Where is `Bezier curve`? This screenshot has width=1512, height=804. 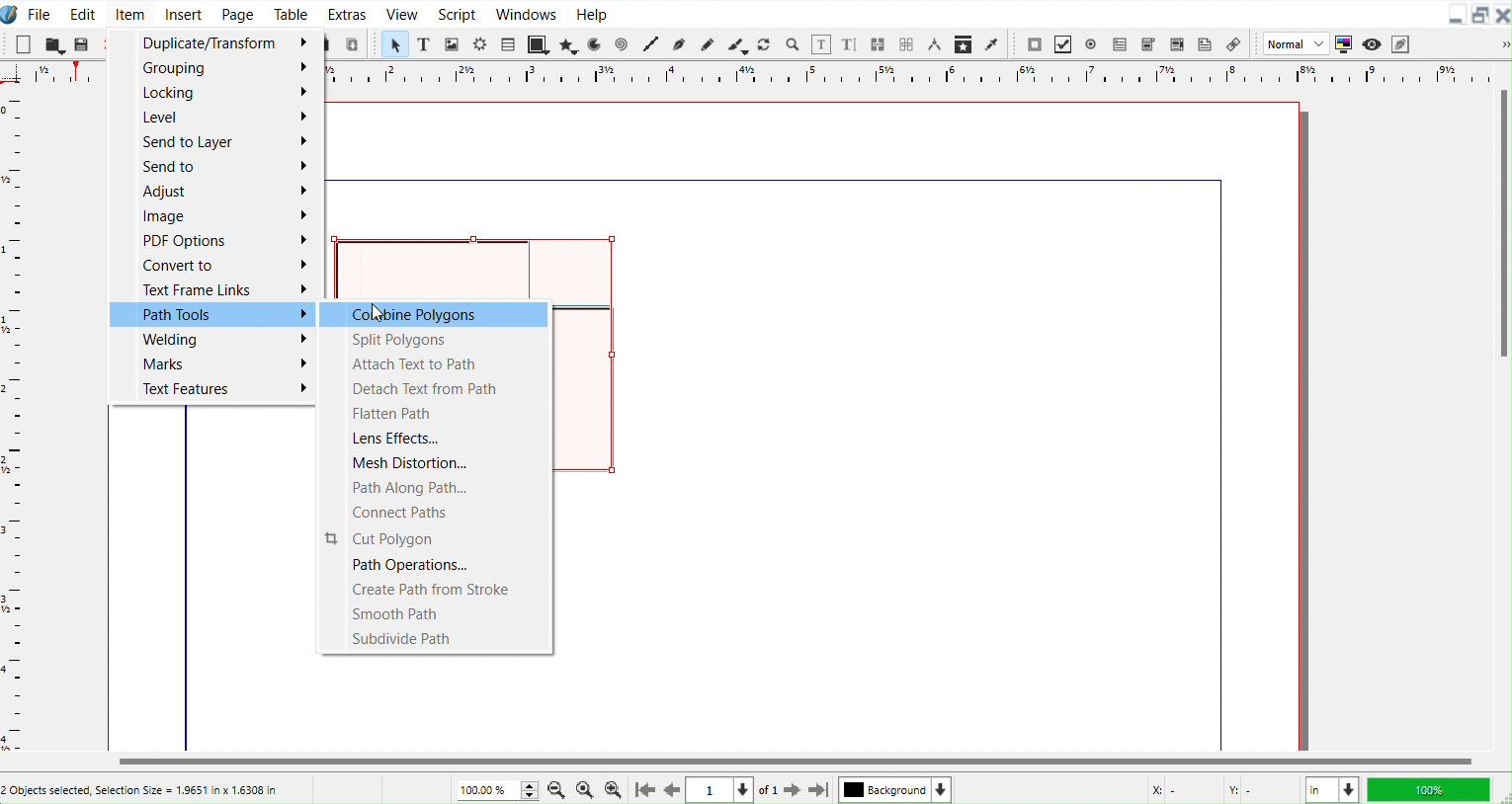
Bezier curve is located at coordinates (680, 45).